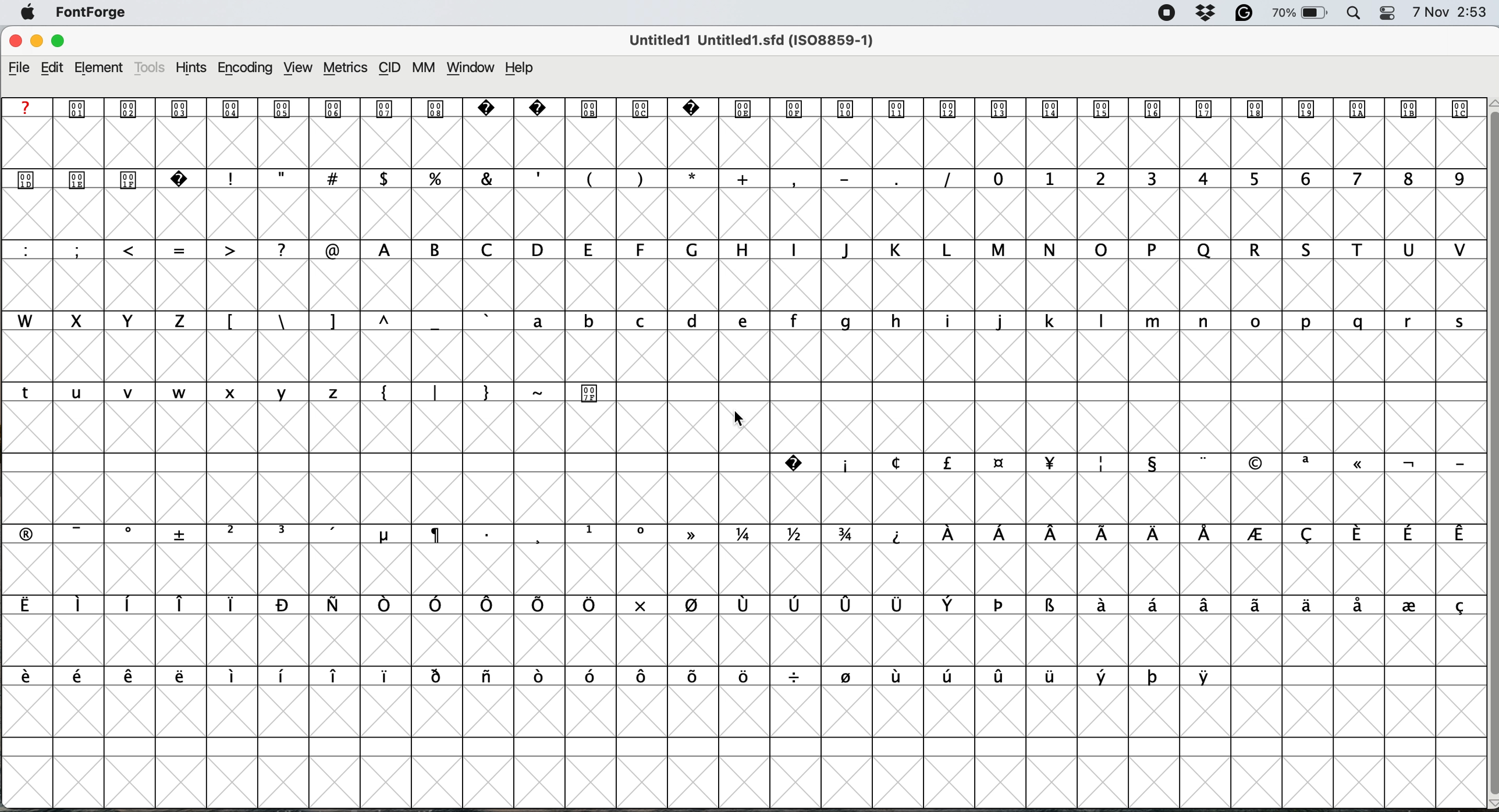  Describe the element at coordinates (428, 69) in the screenshot. I see `mm` at that location.